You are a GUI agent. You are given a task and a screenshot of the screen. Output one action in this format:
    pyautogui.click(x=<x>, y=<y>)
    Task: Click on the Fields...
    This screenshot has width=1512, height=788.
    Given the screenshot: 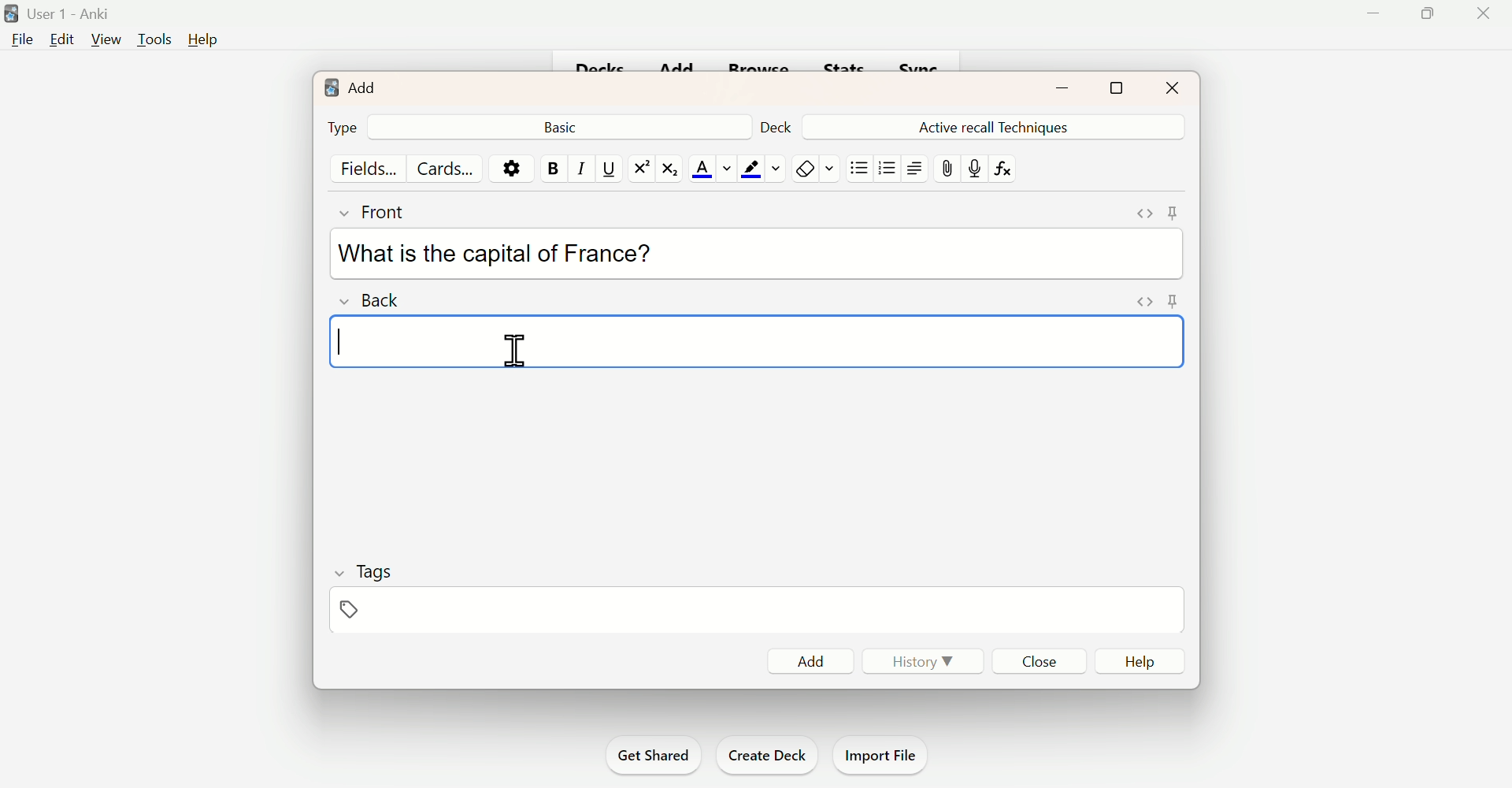 What is the action you would take?
    pyautogui.click(x=368, y=167)
    